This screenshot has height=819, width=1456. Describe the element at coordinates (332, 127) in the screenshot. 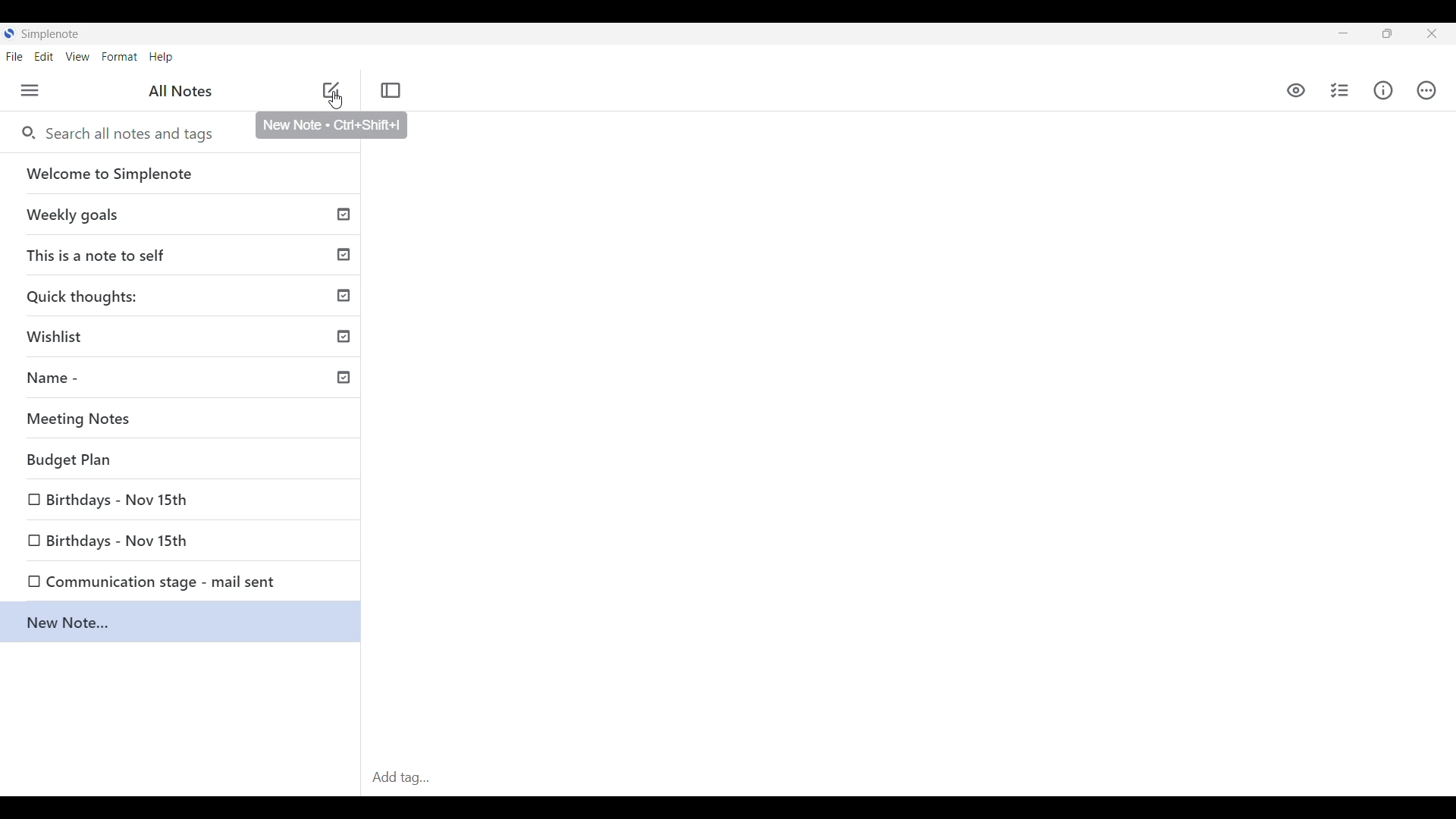

I see `Description of selected icon` at that location.